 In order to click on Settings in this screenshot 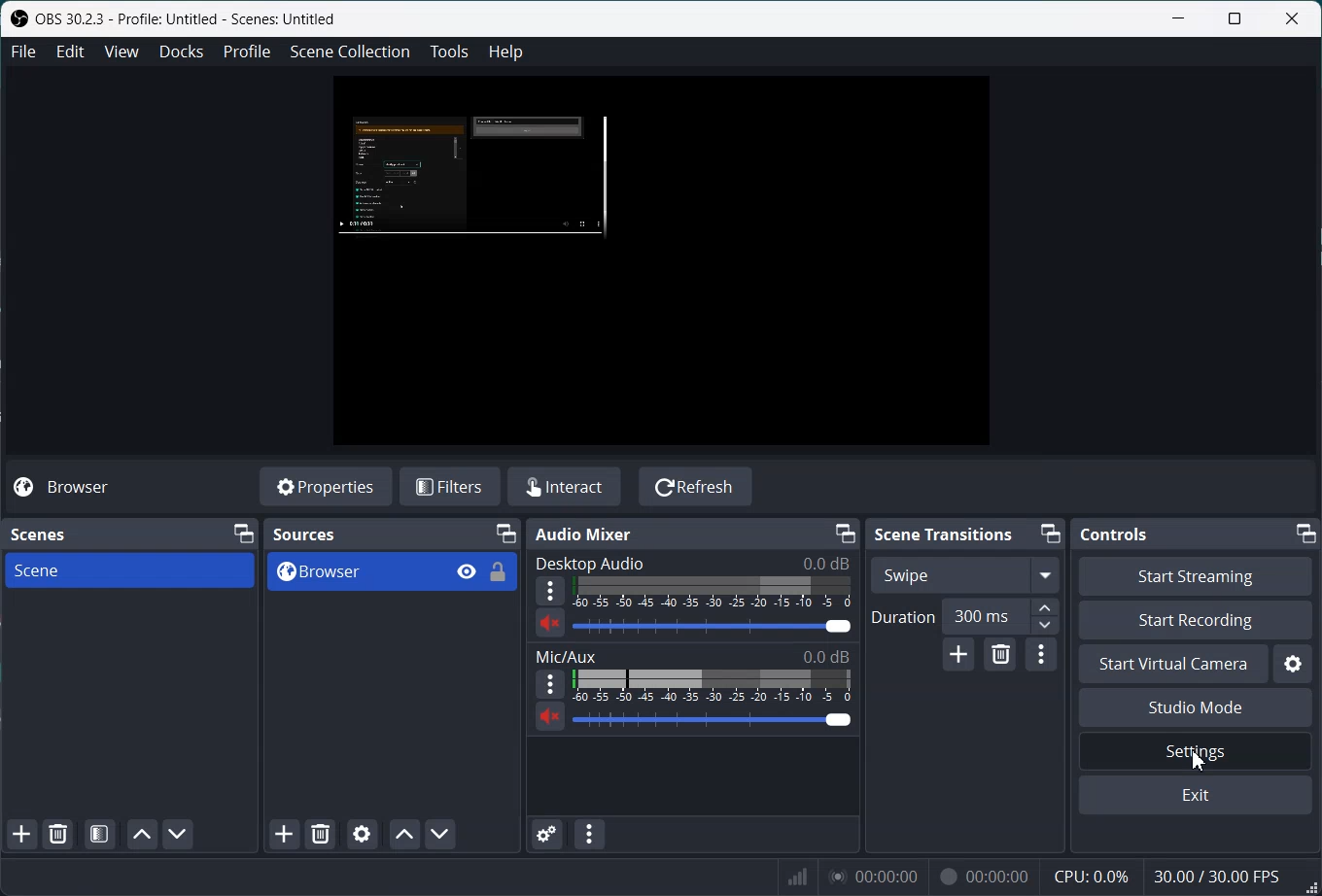, I will do `click(1196, 749)`.